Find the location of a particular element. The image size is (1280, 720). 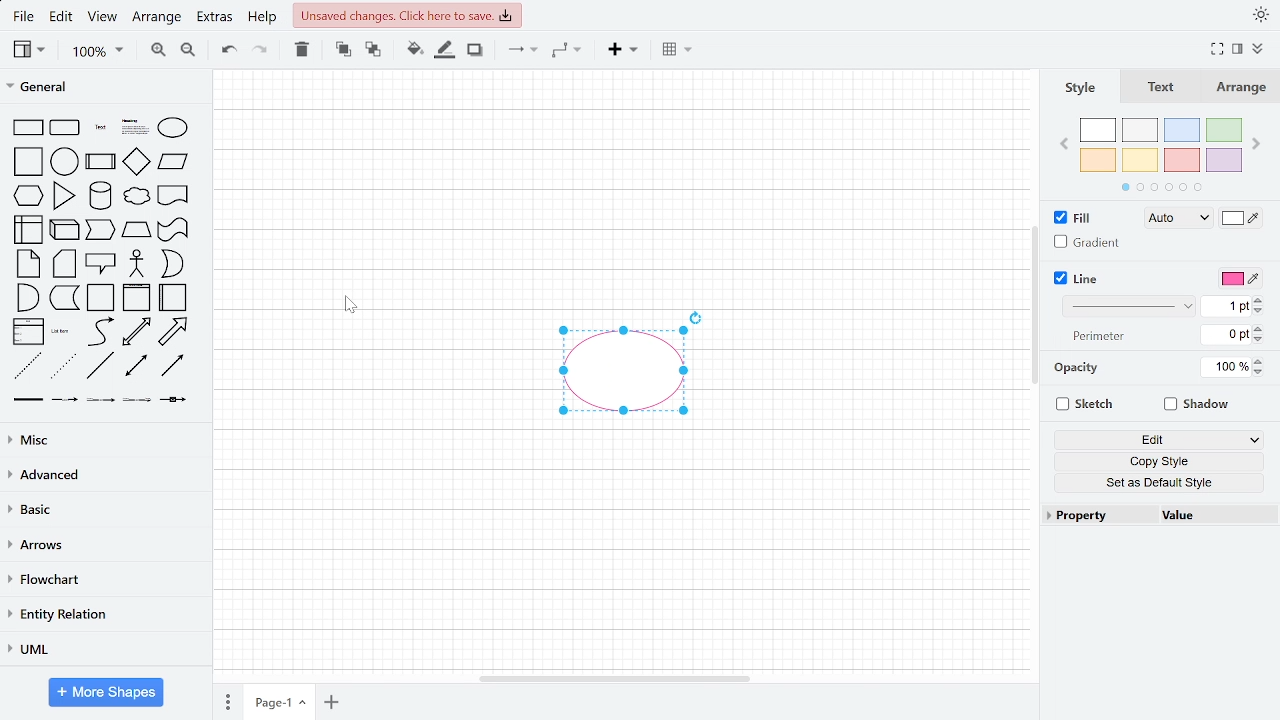

Increae line width is located at coordinates (1259, 299).